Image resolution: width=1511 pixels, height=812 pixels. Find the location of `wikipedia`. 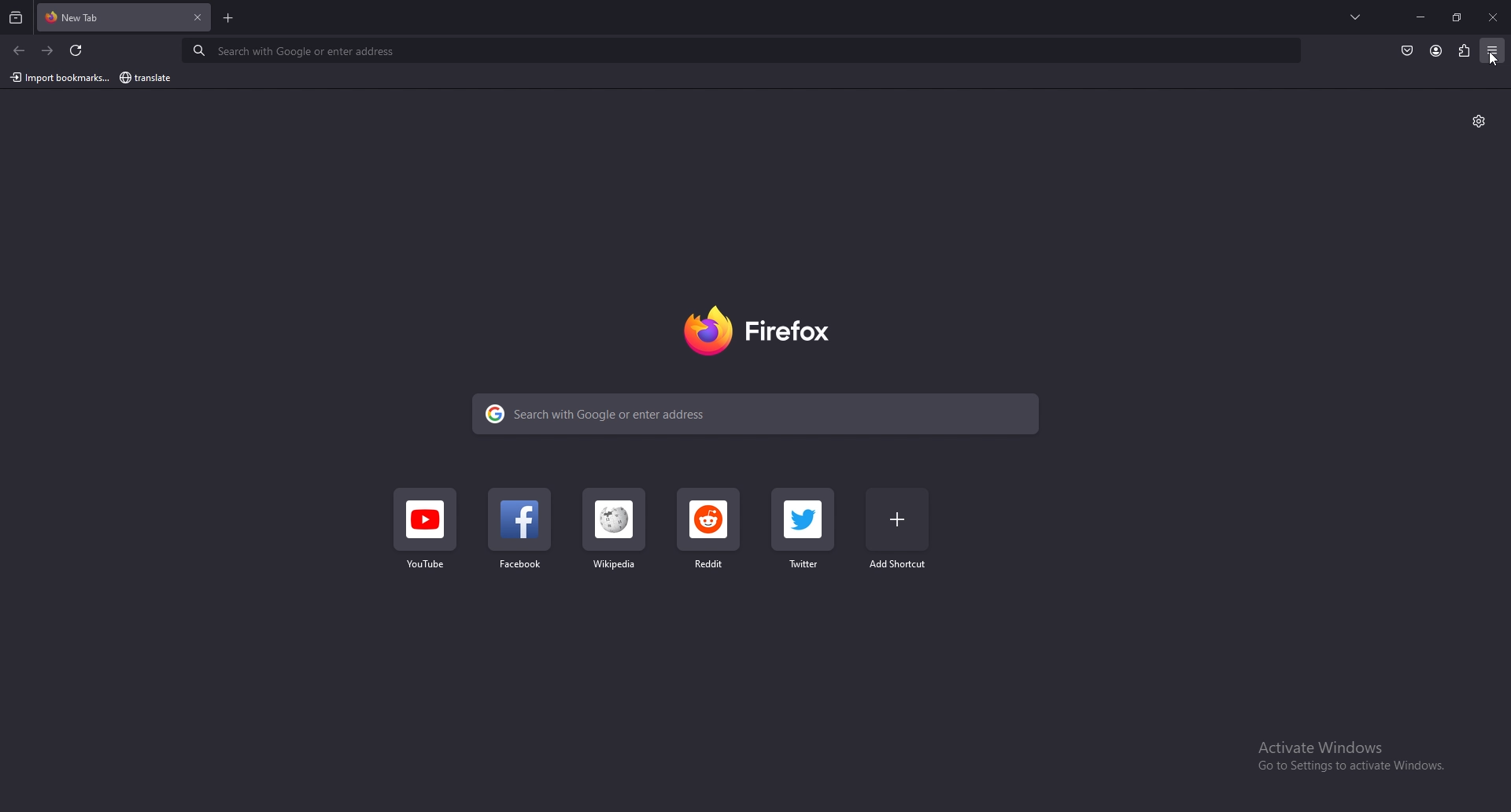

wikipedia is located at coordinates (612, 533).